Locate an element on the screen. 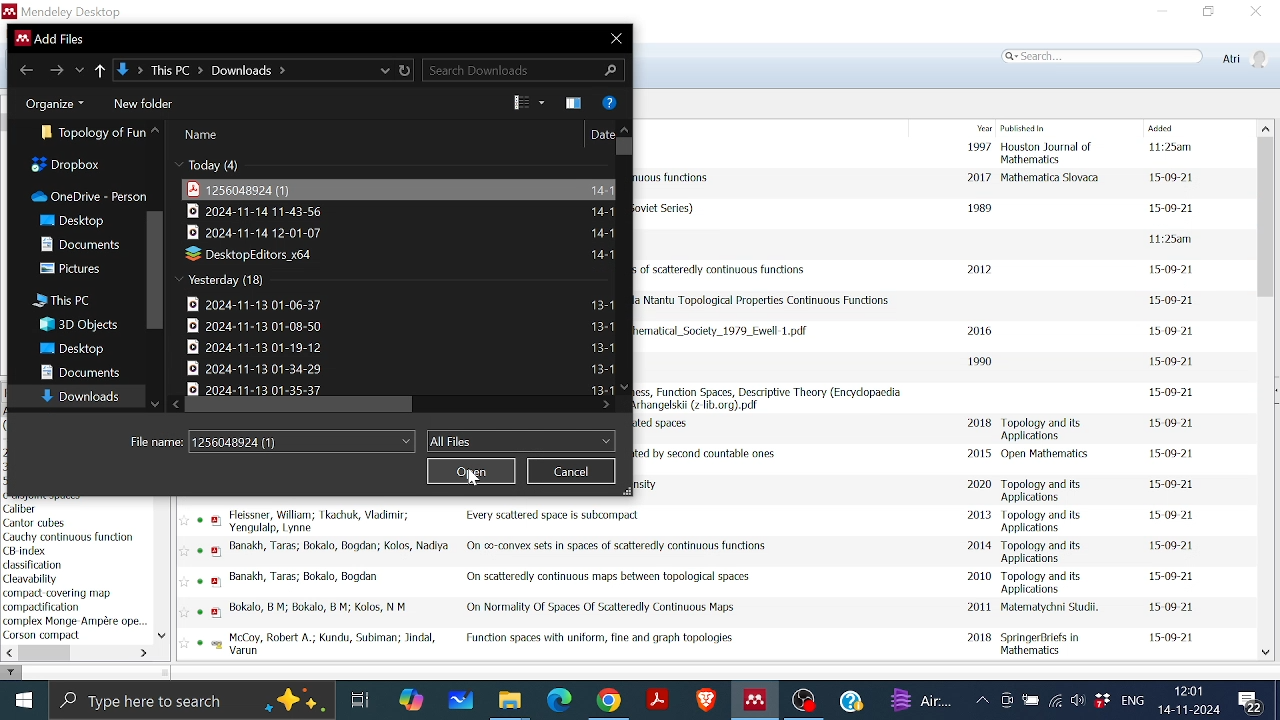 This screenshot has width=1280, height=720. keyword is located at coordinates (69, 538).